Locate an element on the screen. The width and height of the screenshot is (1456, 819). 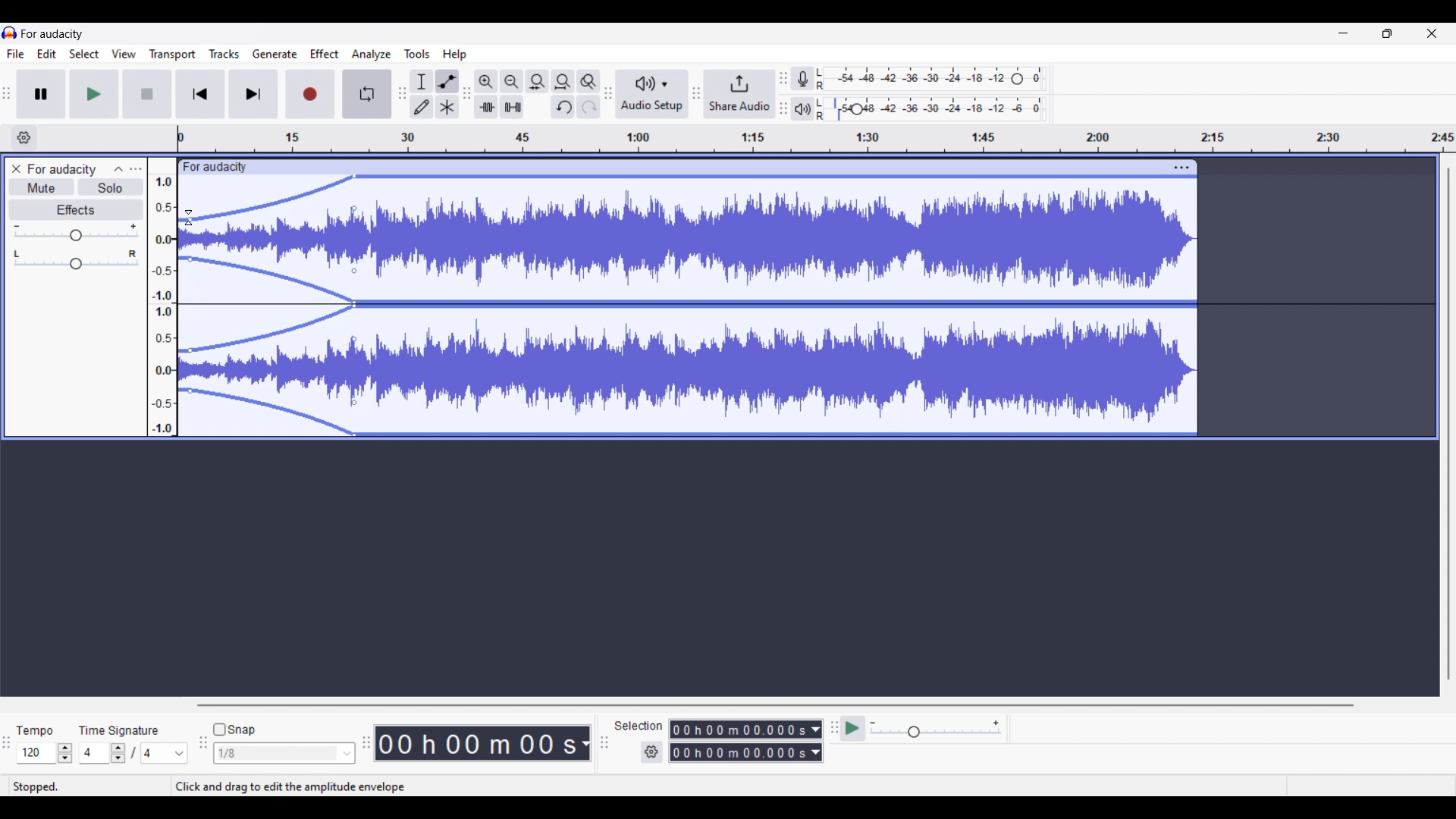
Recording level is located at coordinates (930, 79).